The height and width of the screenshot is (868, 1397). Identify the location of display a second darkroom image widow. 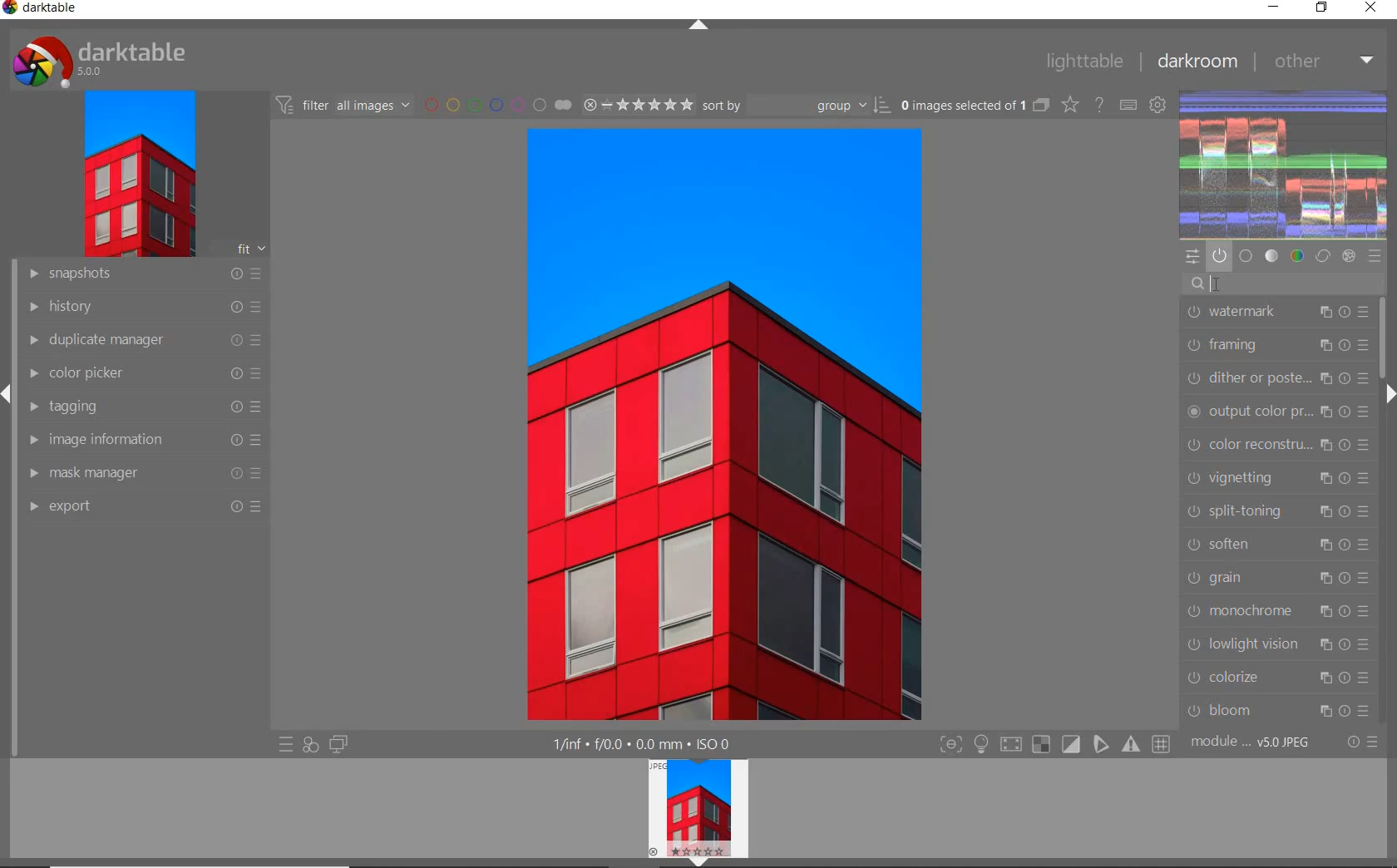
(338, 742).